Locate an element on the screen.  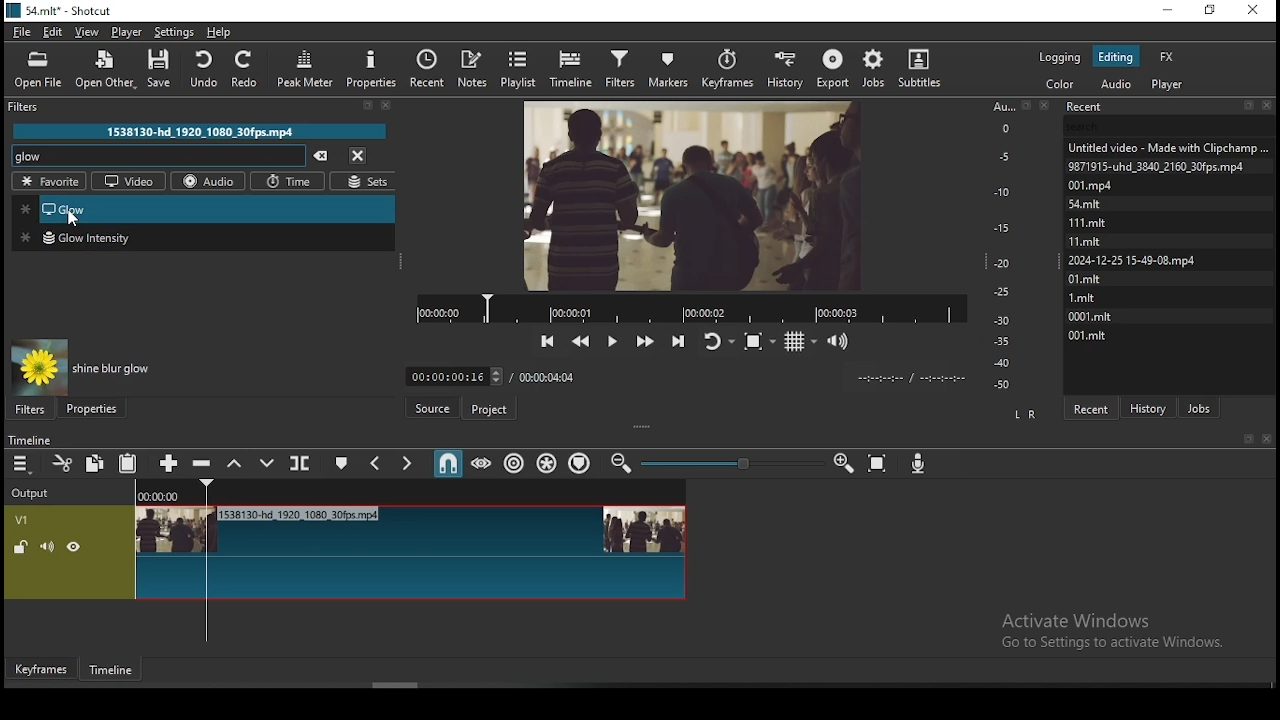
11.mit is located at coordinates (1090, 241).